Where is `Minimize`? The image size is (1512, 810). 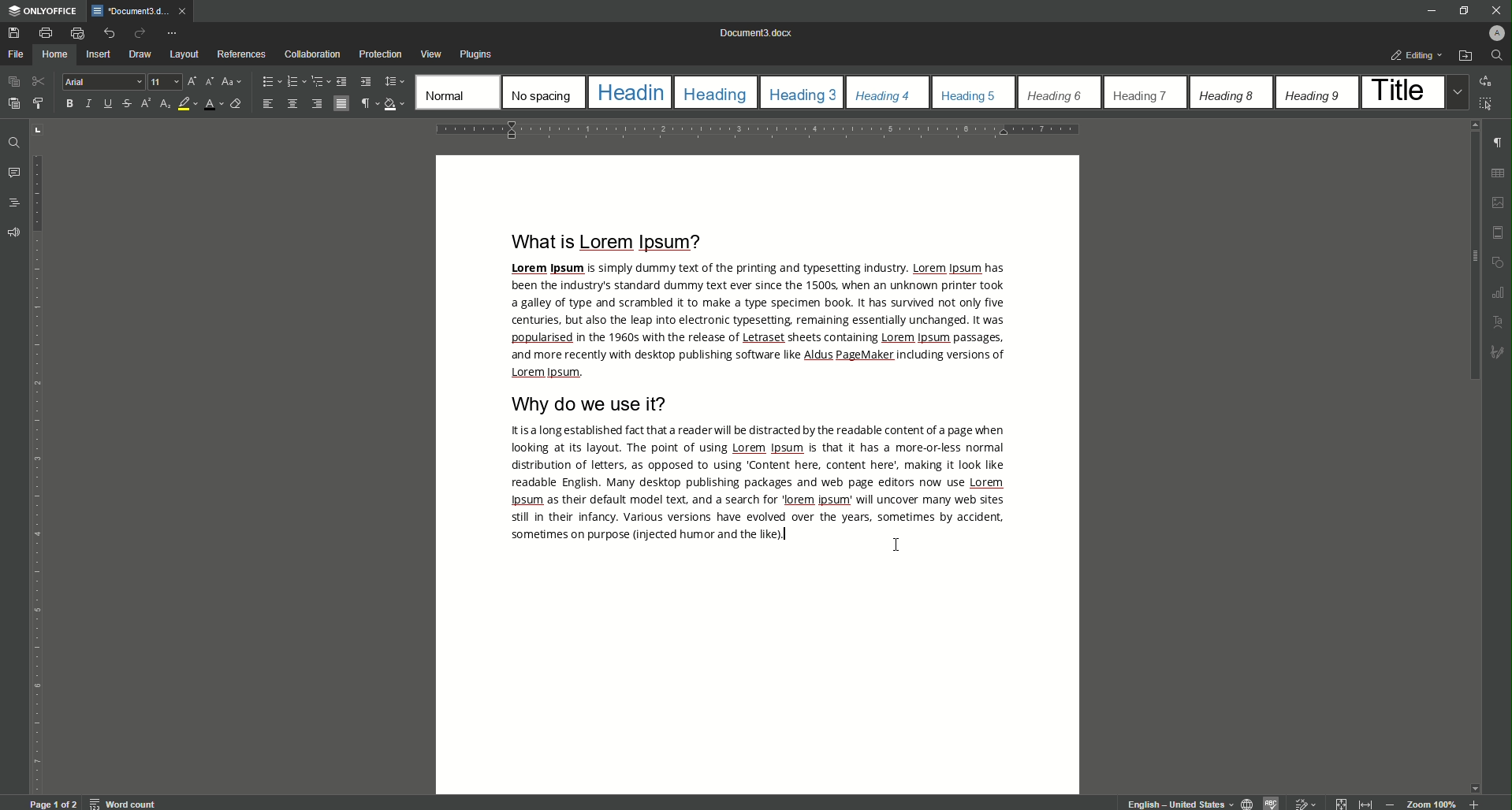
Minimize is located at coordinates (1425, 10).